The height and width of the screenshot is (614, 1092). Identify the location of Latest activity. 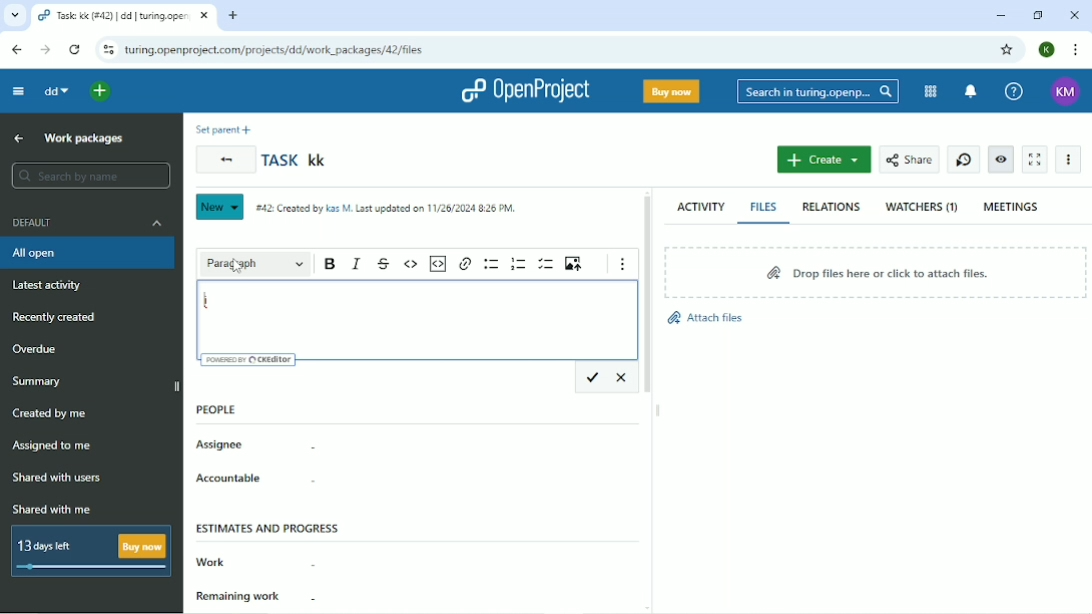
(51, 286).